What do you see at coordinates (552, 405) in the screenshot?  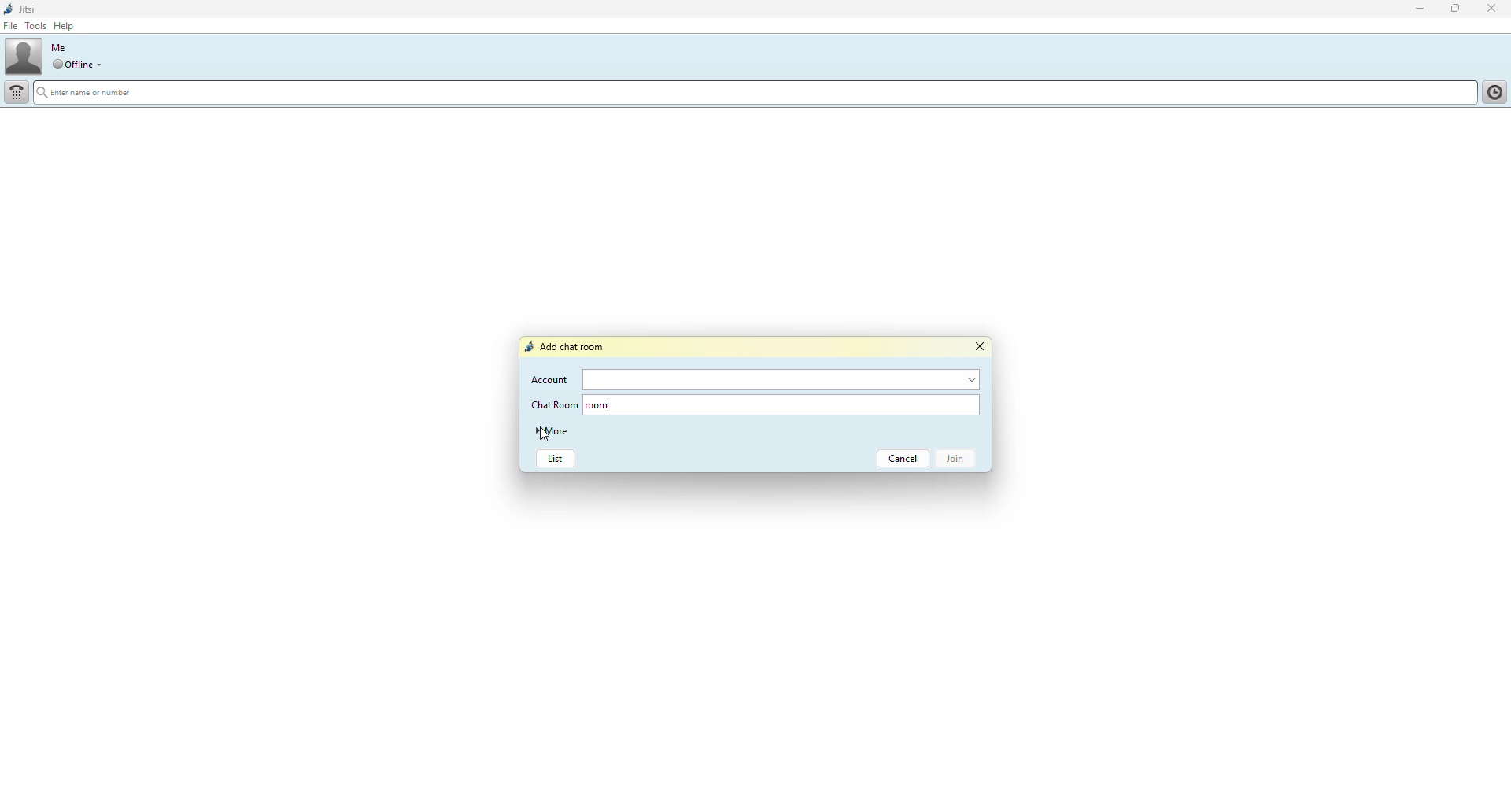 I see `chat room` at bounding box center [552, 405].